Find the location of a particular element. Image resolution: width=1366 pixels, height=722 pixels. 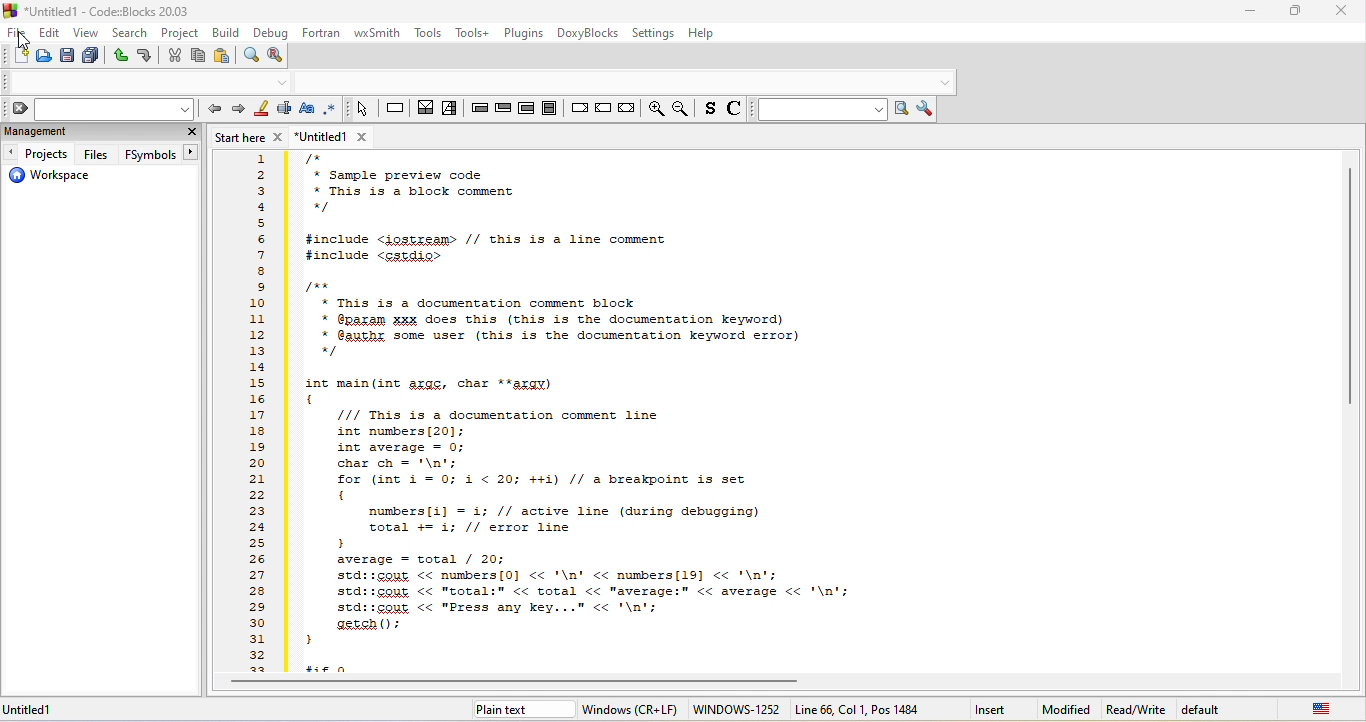

fsymbols is located at coordinates (160, 154).